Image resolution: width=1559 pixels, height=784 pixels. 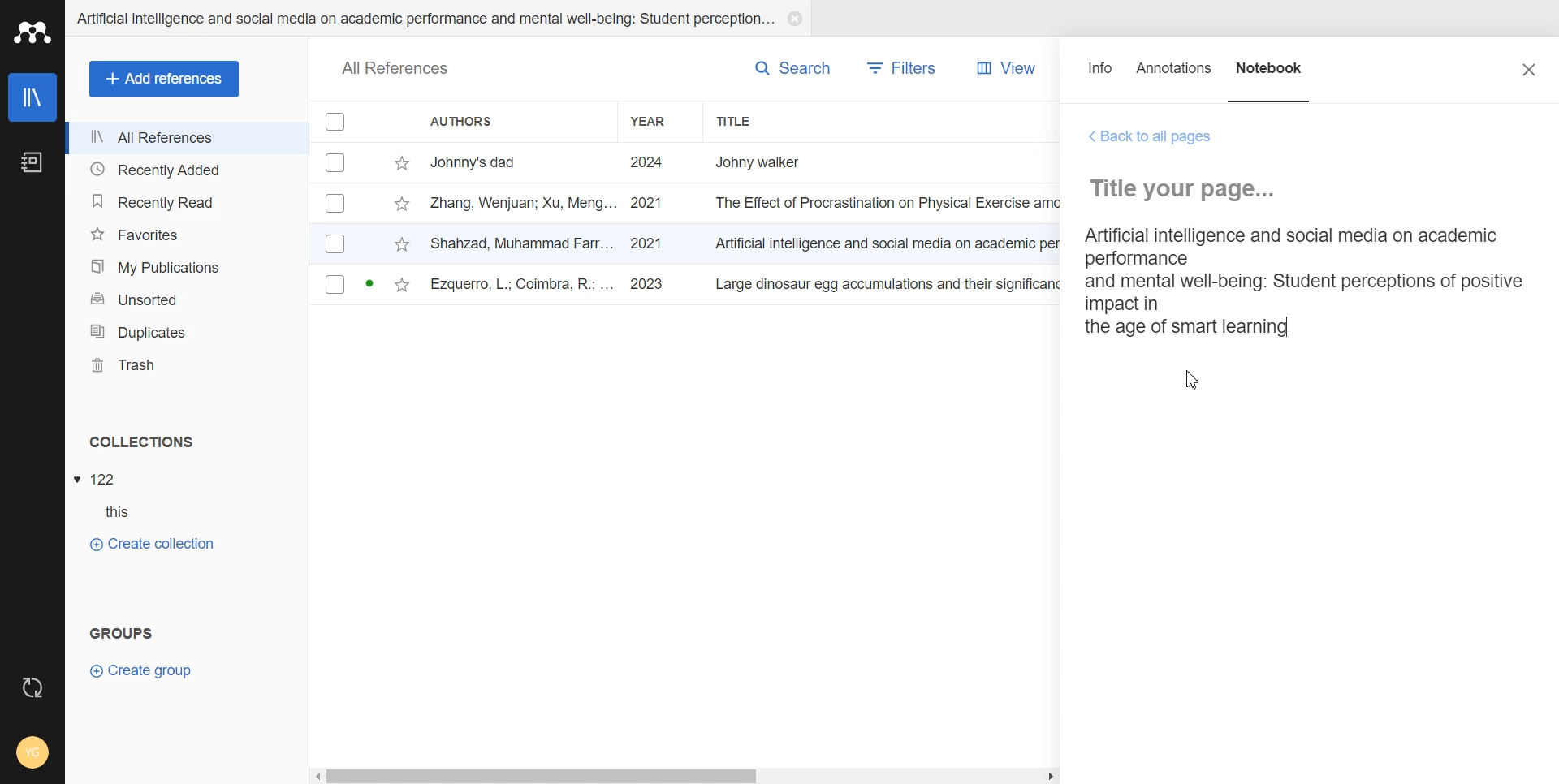 I want to click on Annotations, so click(x=1175, y=75).